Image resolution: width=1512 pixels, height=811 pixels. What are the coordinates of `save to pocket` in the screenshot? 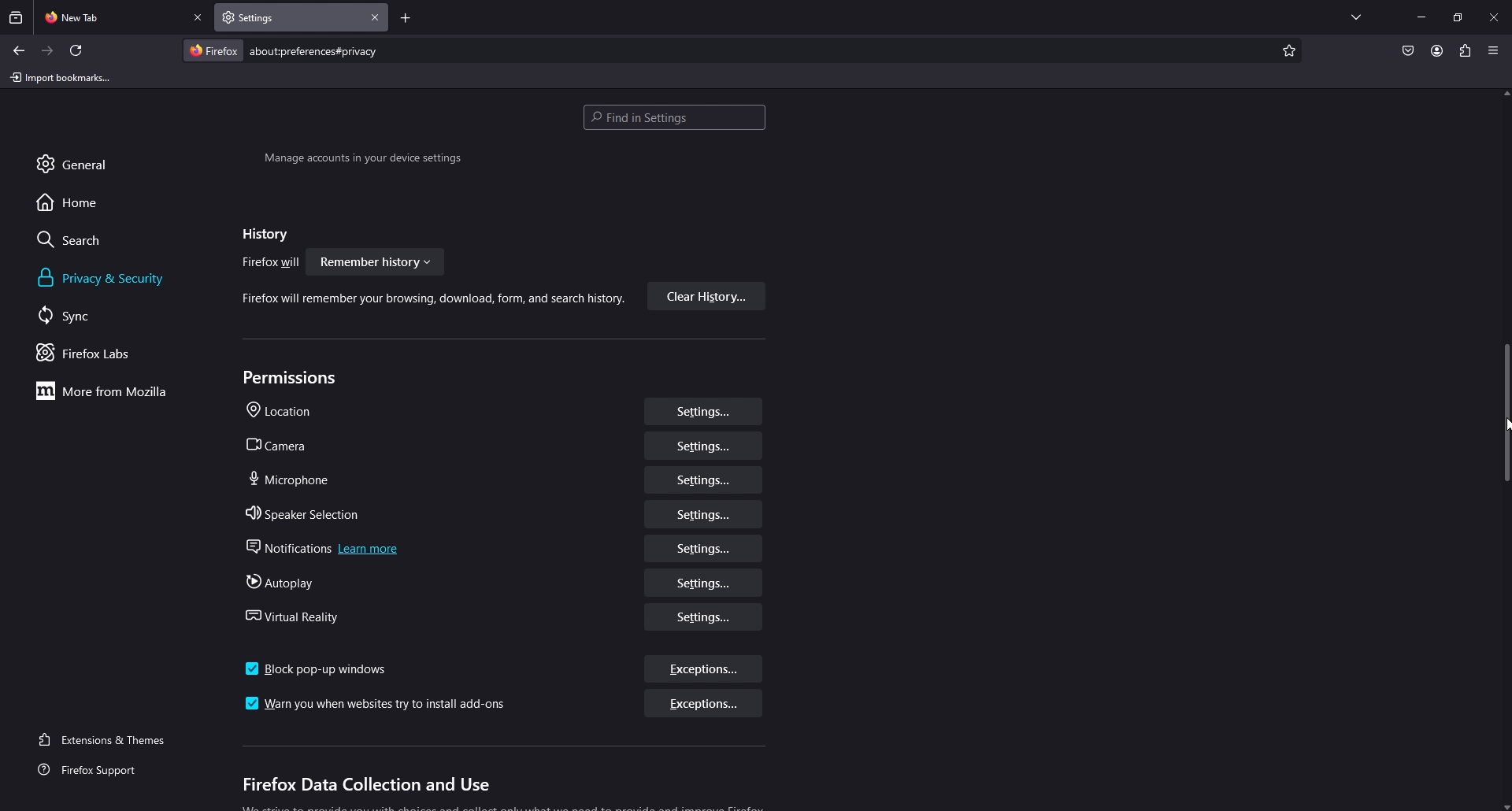 It's located at (1407, 52).